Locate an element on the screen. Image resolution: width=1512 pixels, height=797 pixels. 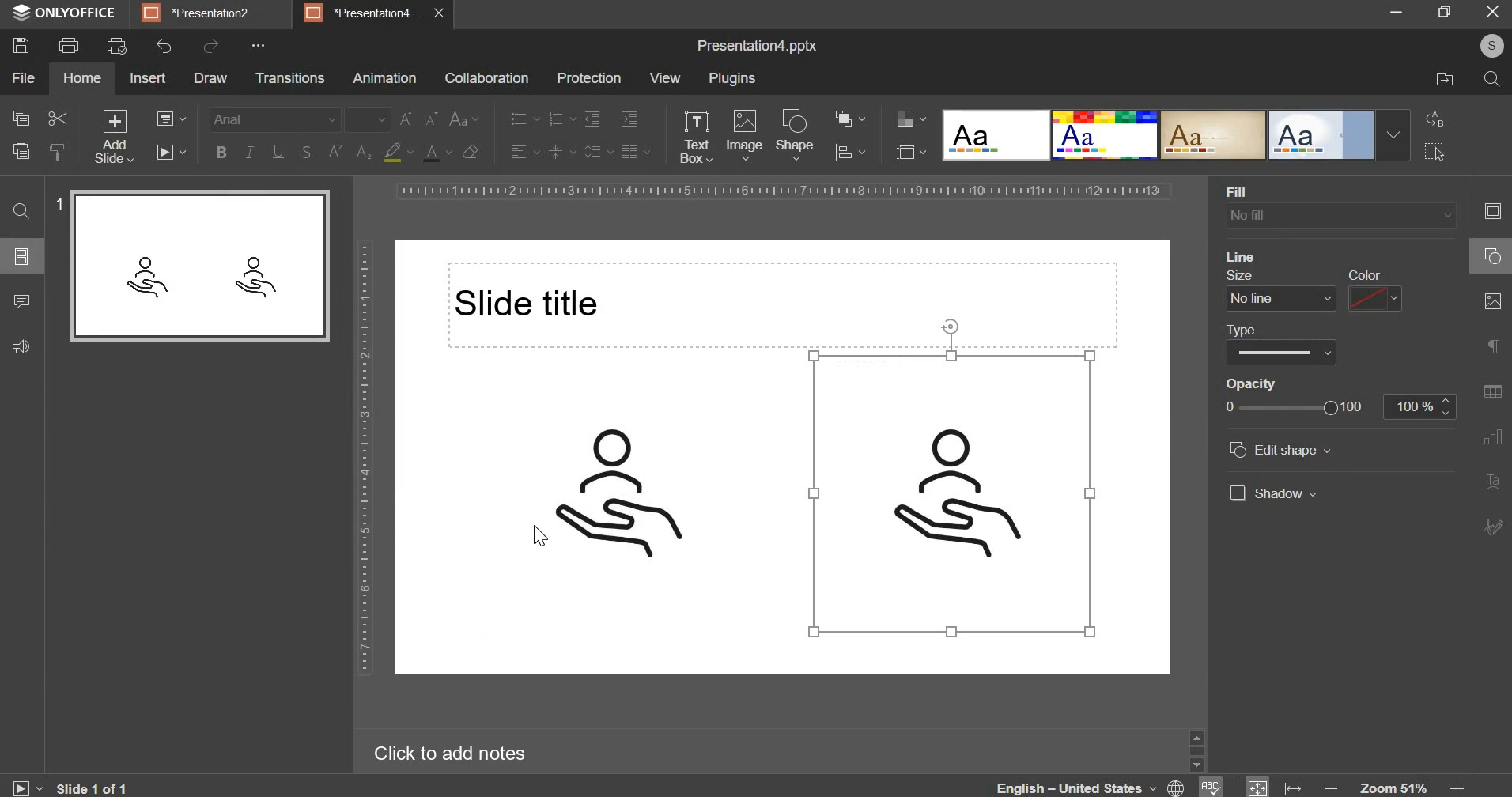
Presentation4.pptx is located at coordinates (756, 45).